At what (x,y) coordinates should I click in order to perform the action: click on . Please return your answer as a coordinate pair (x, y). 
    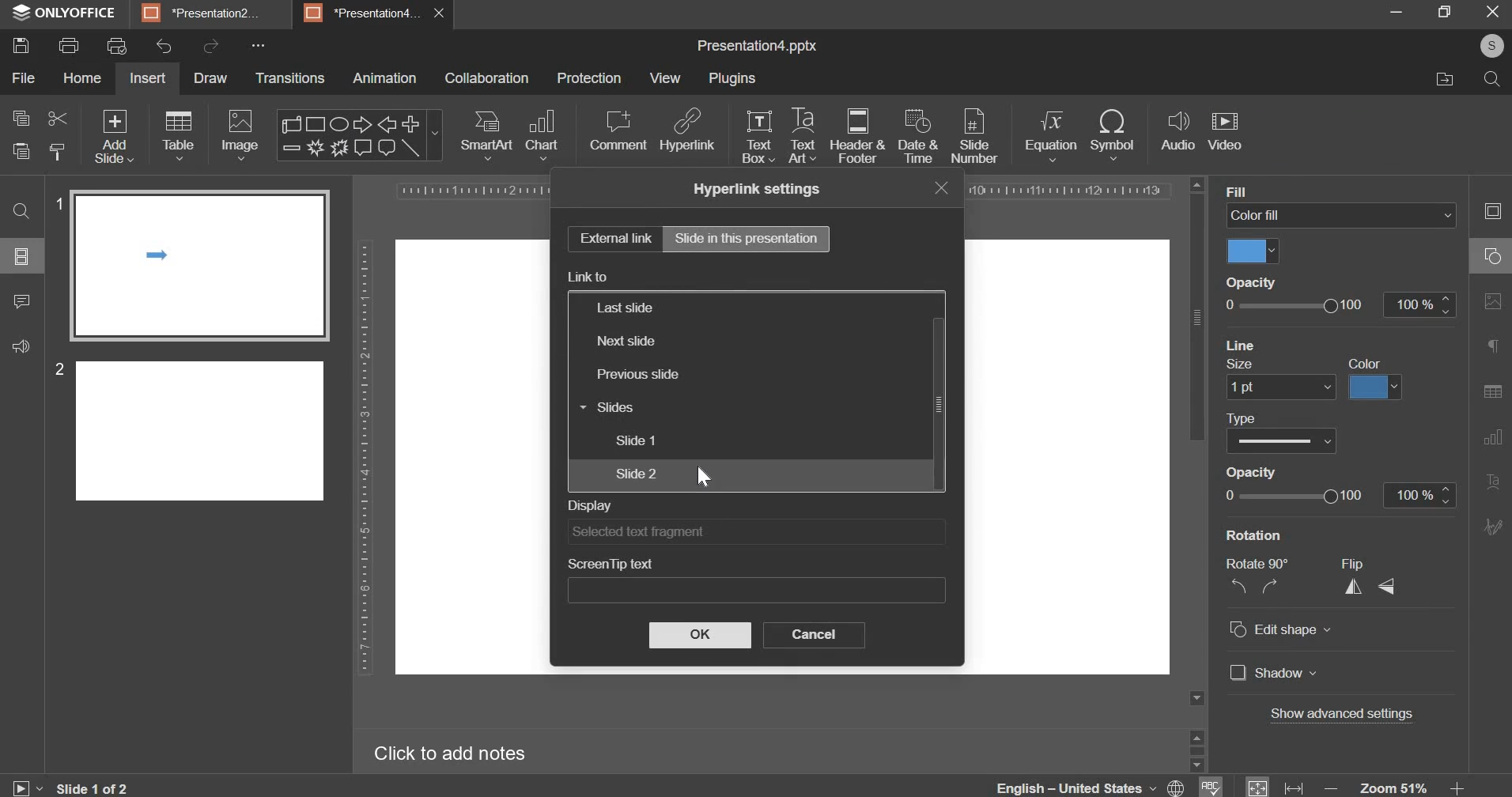
    Looking at the image, I should click on (1272, 387).